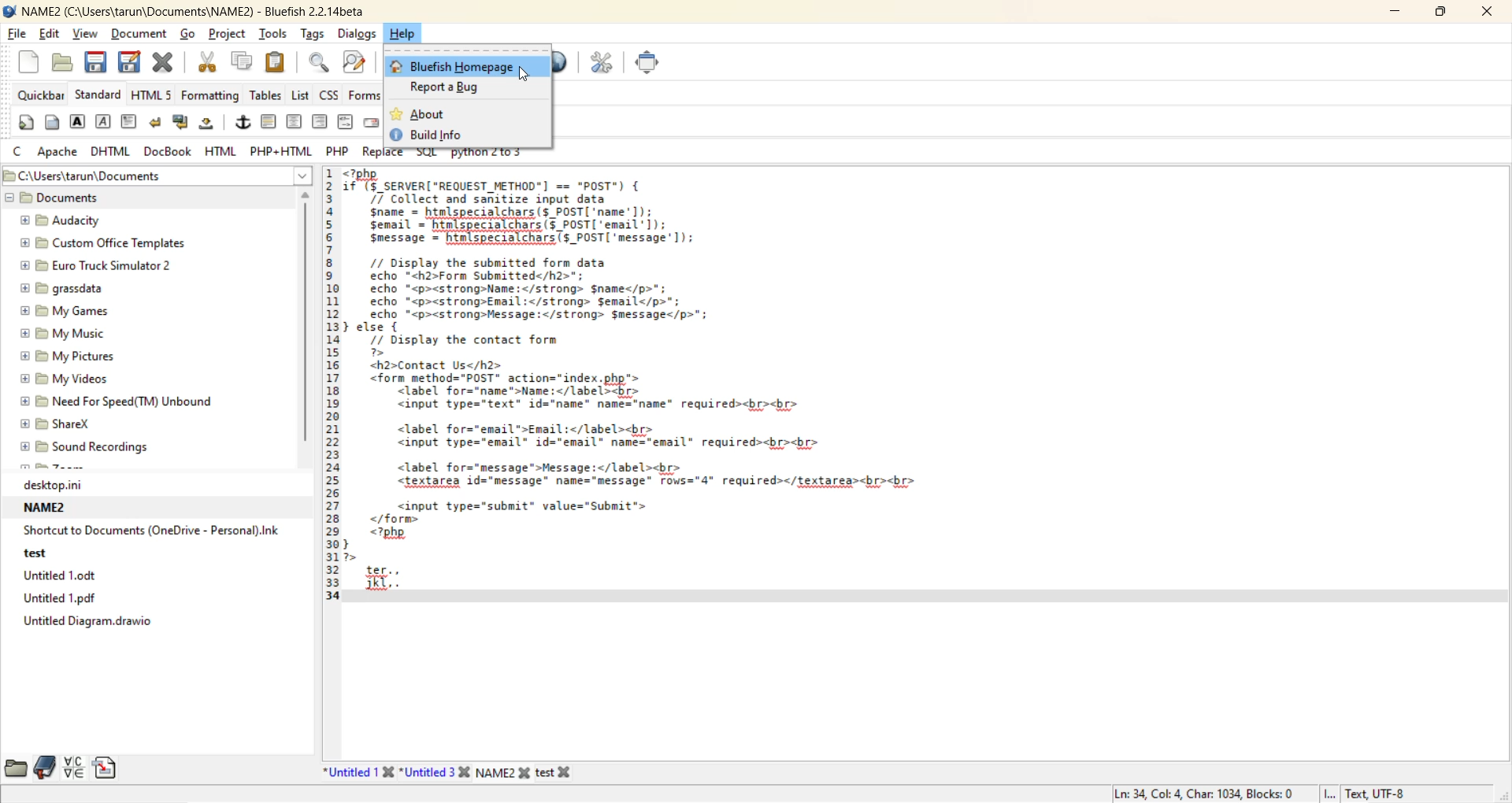 Image resolution: width=1512 pixels, height=803 pixels. Describe the element at coordinates (317, 121) in the screenshot. I see `right justify` at that location.